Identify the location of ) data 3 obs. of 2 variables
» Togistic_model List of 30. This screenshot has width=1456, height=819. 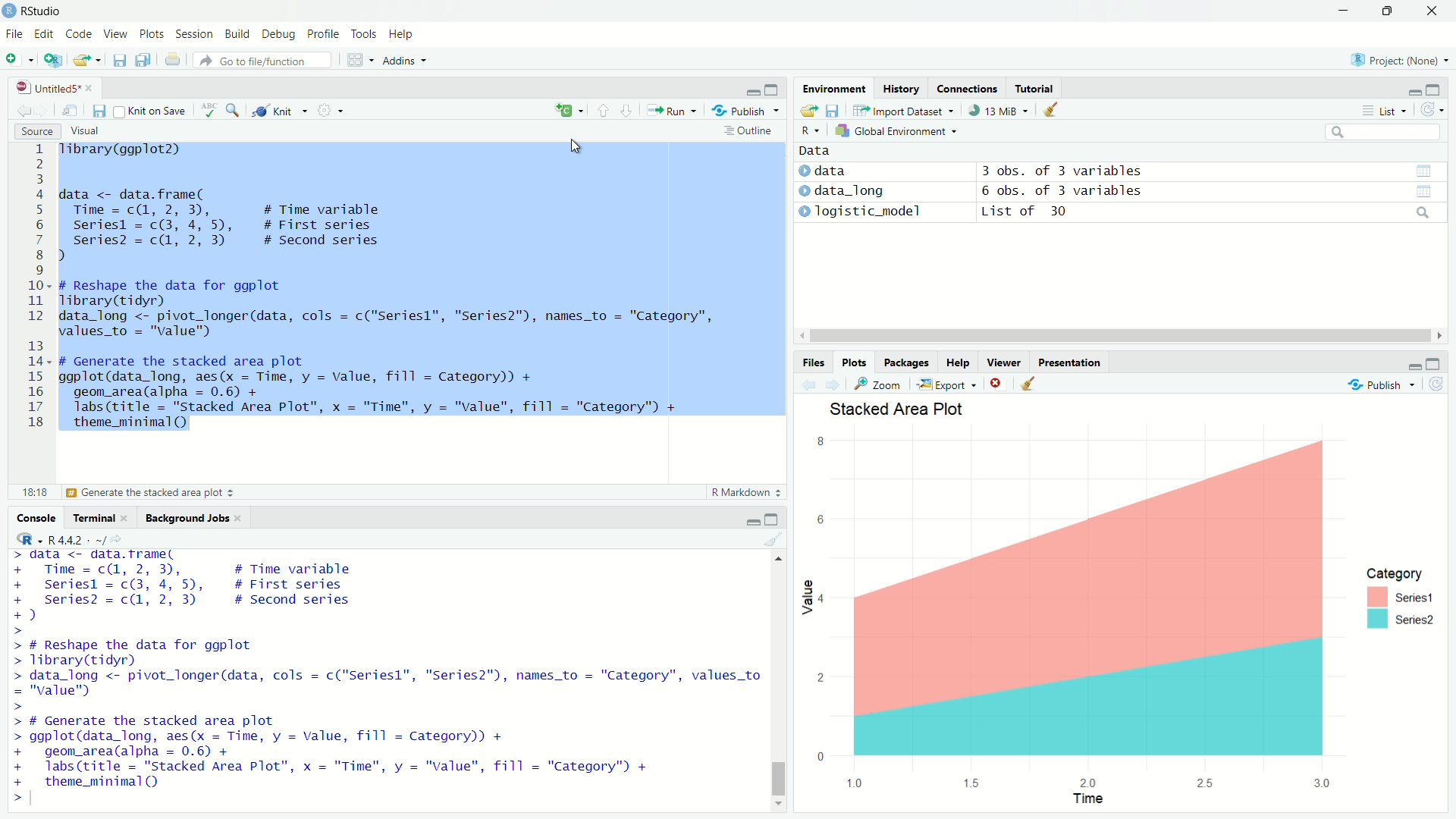
(982, 192).